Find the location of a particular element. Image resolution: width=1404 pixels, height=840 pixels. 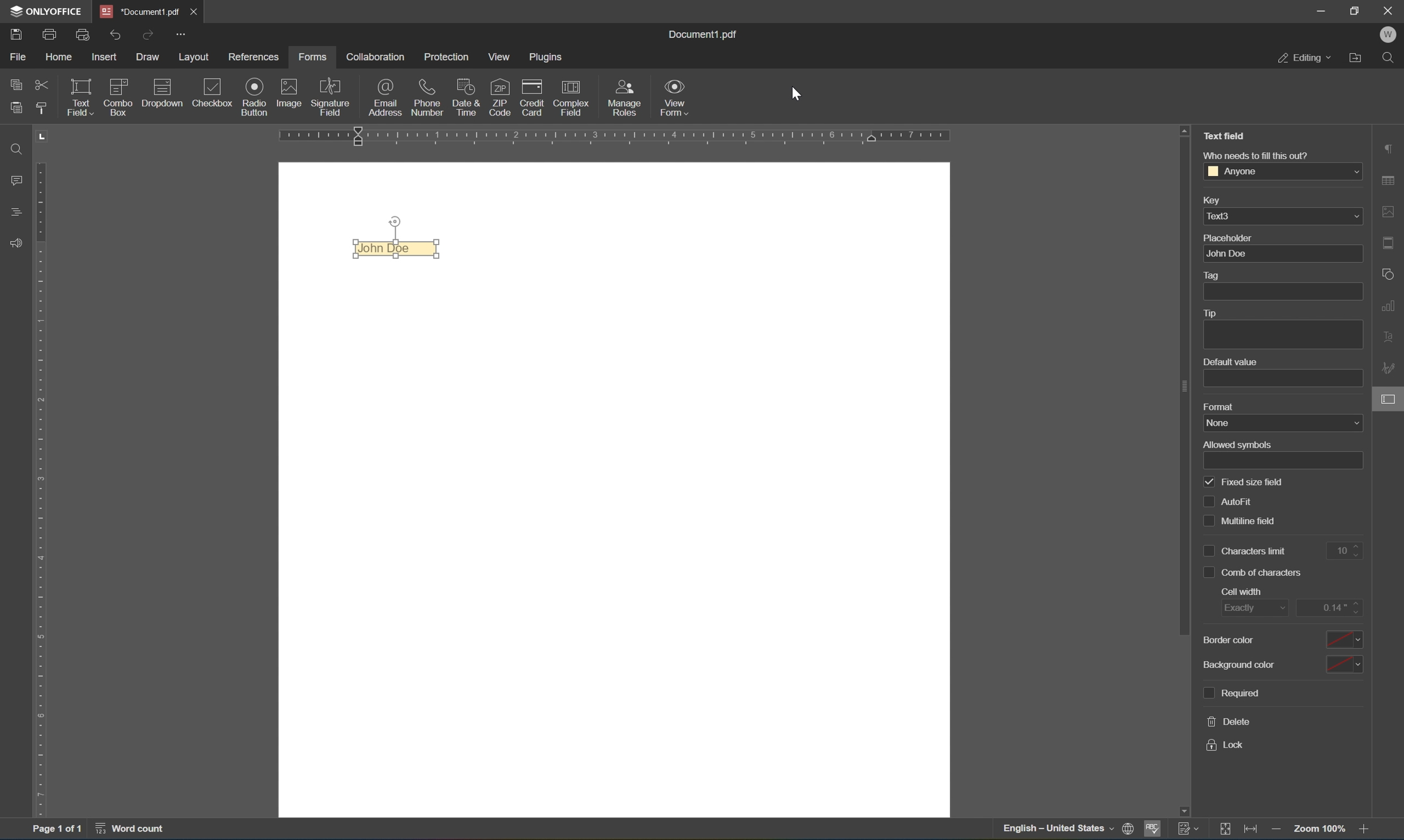

icon is located at coordinates (121, 84).